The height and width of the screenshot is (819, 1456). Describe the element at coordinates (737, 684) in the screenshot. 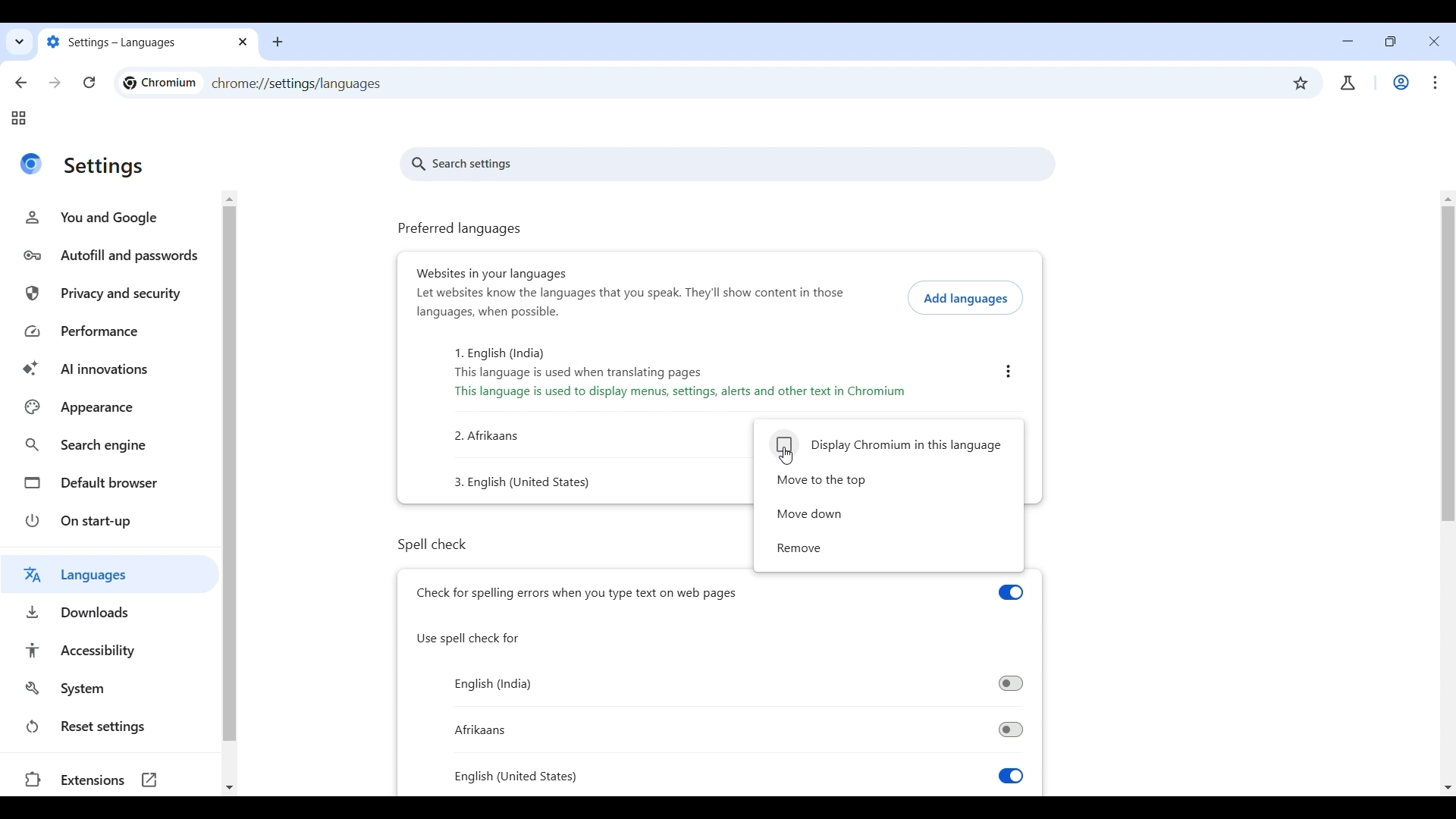

I see `Toggle for spell check in English (India)` at that location.